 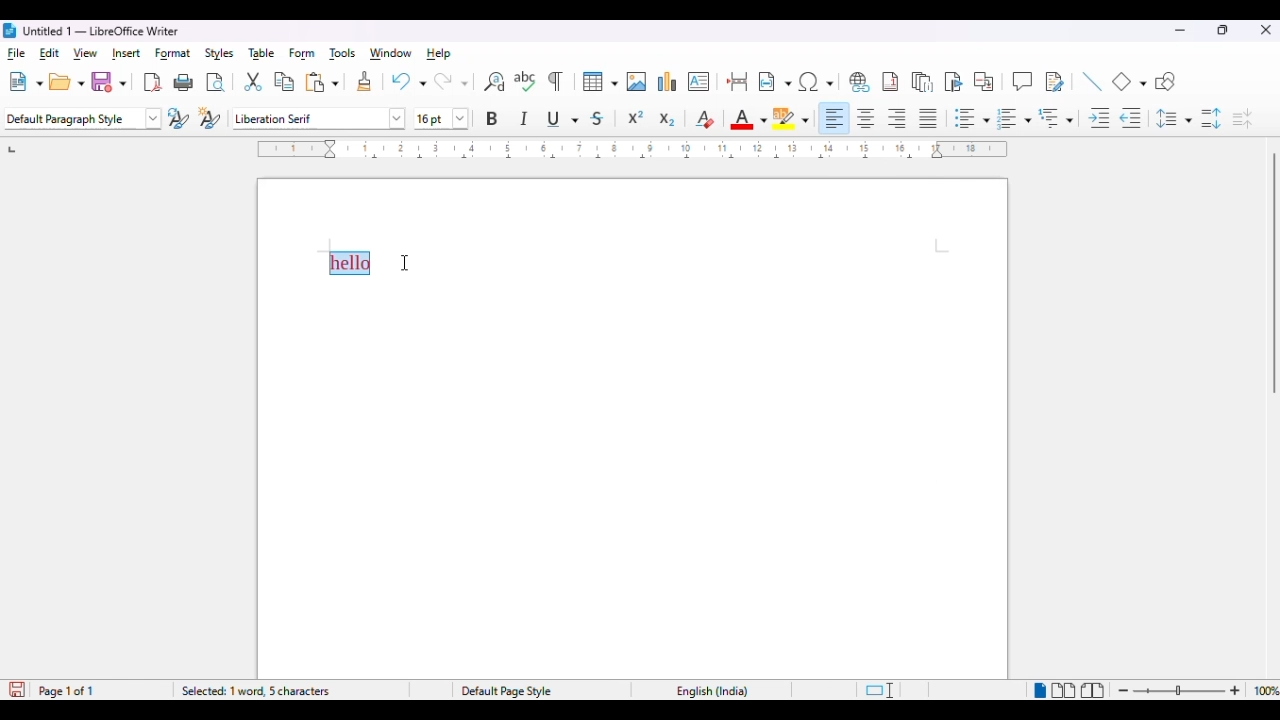 I want to click on font style, so click(x=319, y=118).